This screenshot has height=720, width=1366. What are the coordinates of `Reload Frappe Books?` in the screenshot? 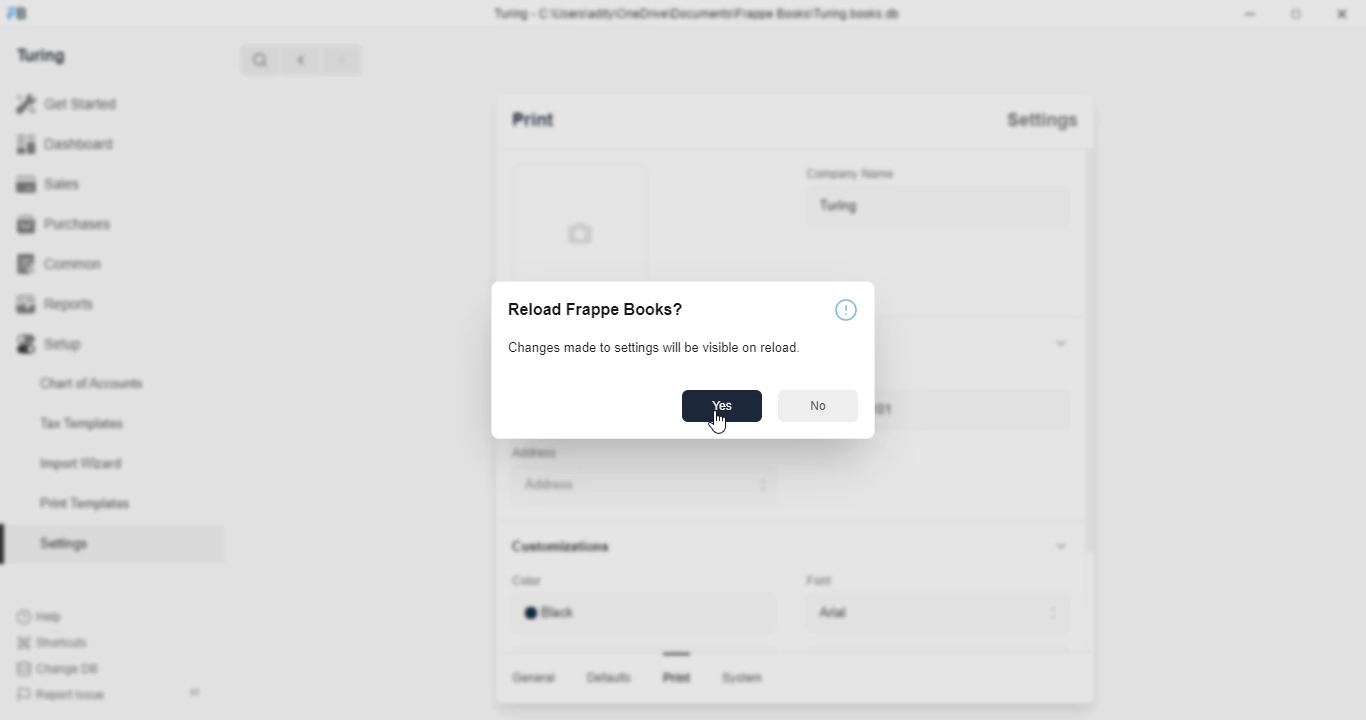 It's located at (592, 311).